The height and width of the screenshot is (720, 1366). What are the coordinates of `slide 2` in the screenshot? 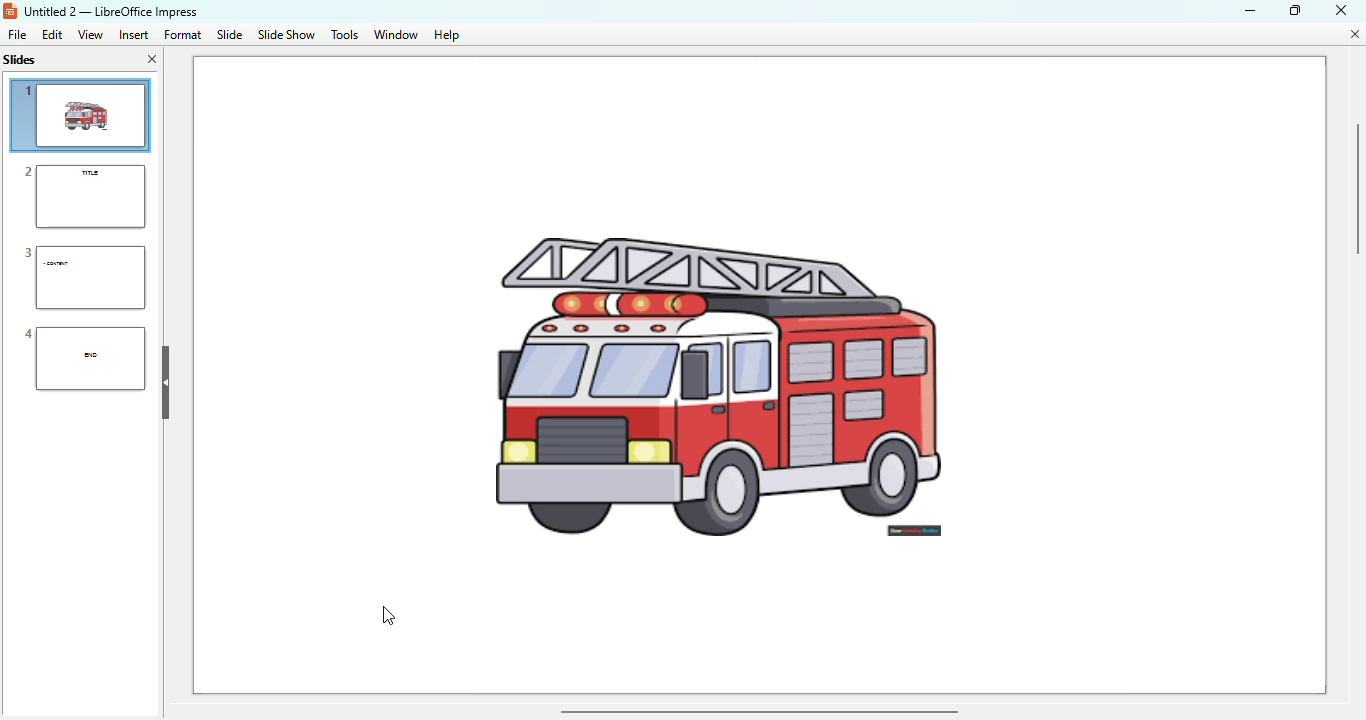 It's located at (83, 196).